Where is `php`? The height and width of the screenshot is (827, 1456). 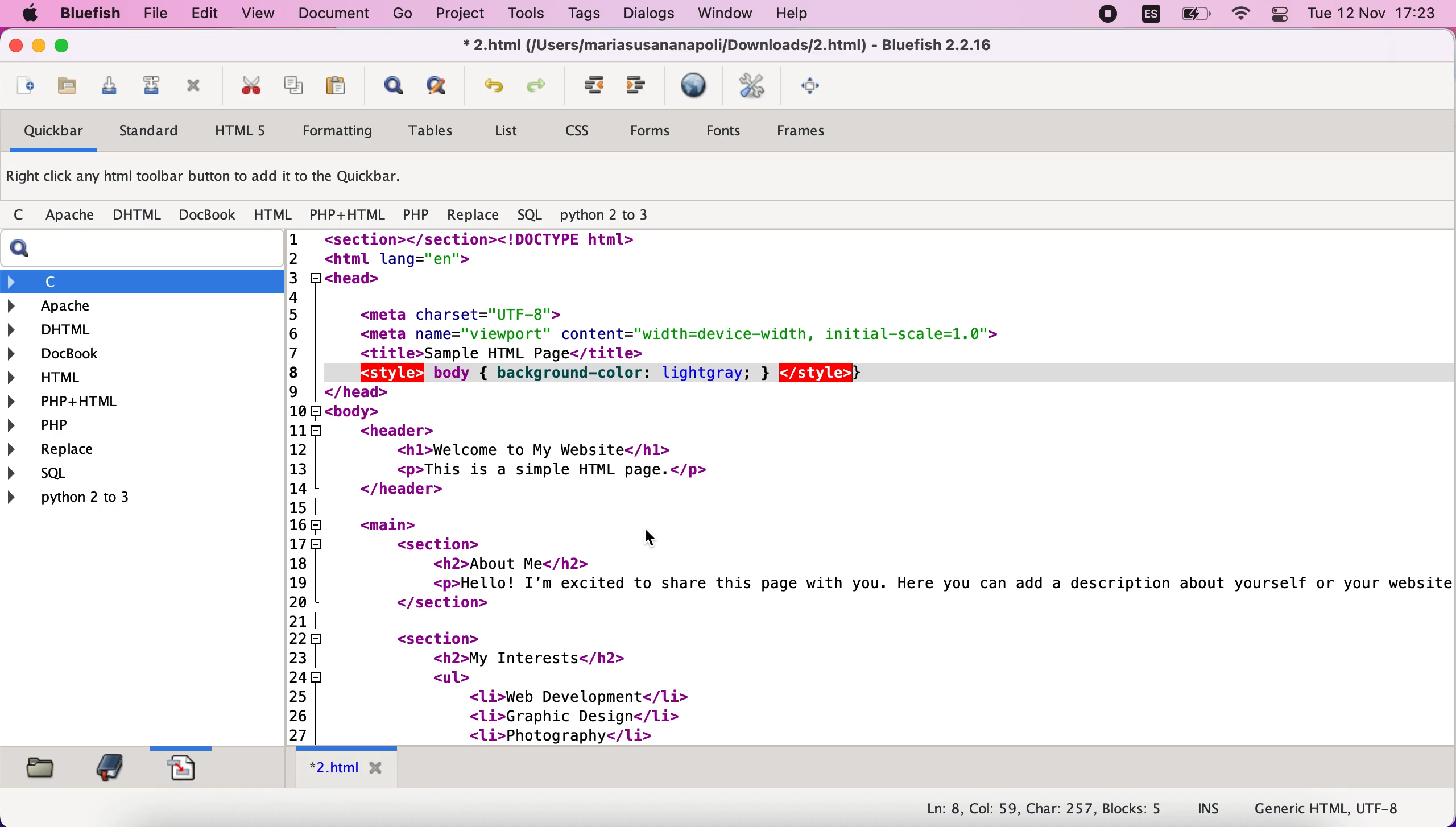 php is located at coordinates (135, 426).